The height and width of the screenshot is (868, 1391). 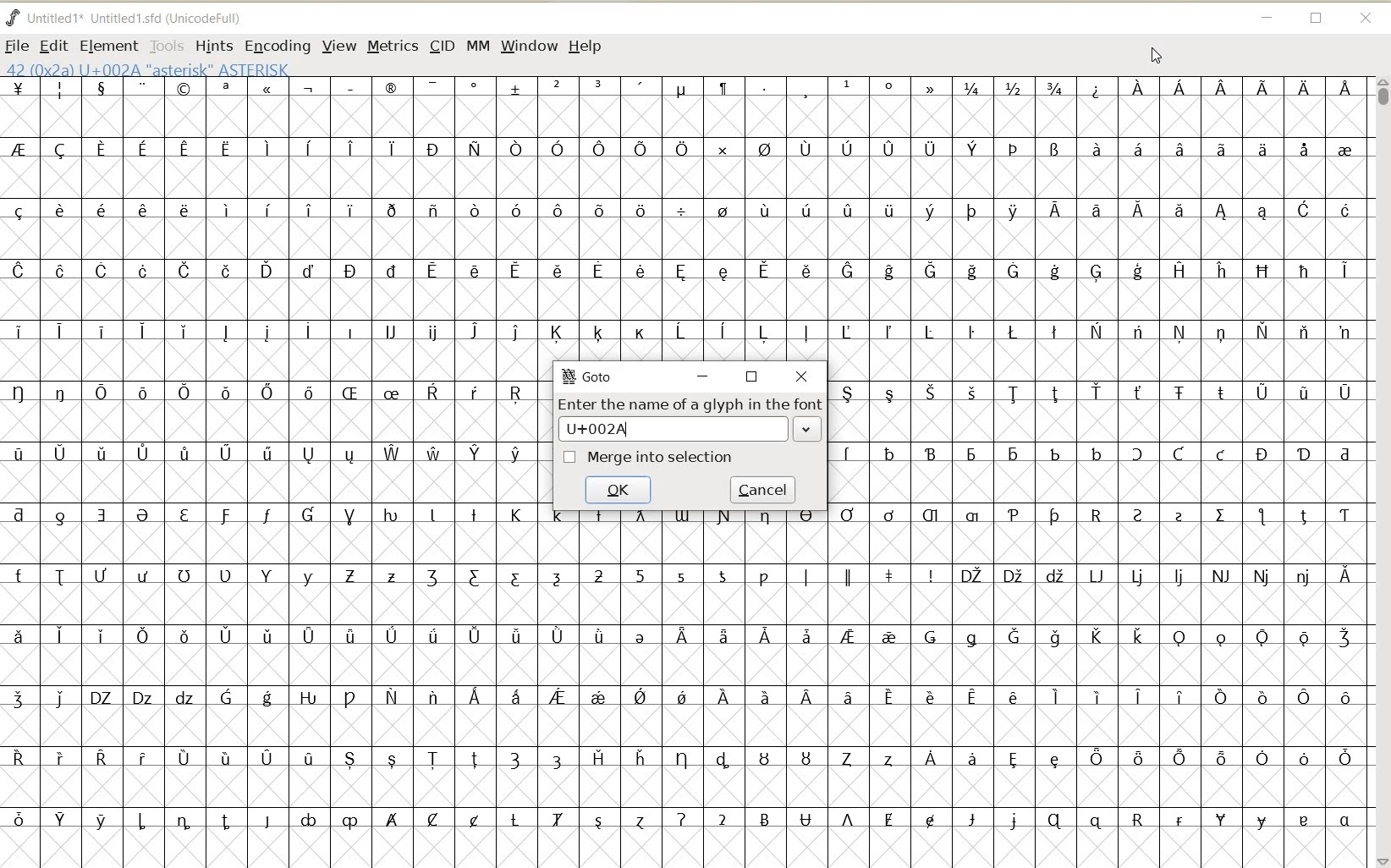 What do you see at coordinates (618, 489) in the screenshot?
I see `ok` at bounding box center [618, 489].